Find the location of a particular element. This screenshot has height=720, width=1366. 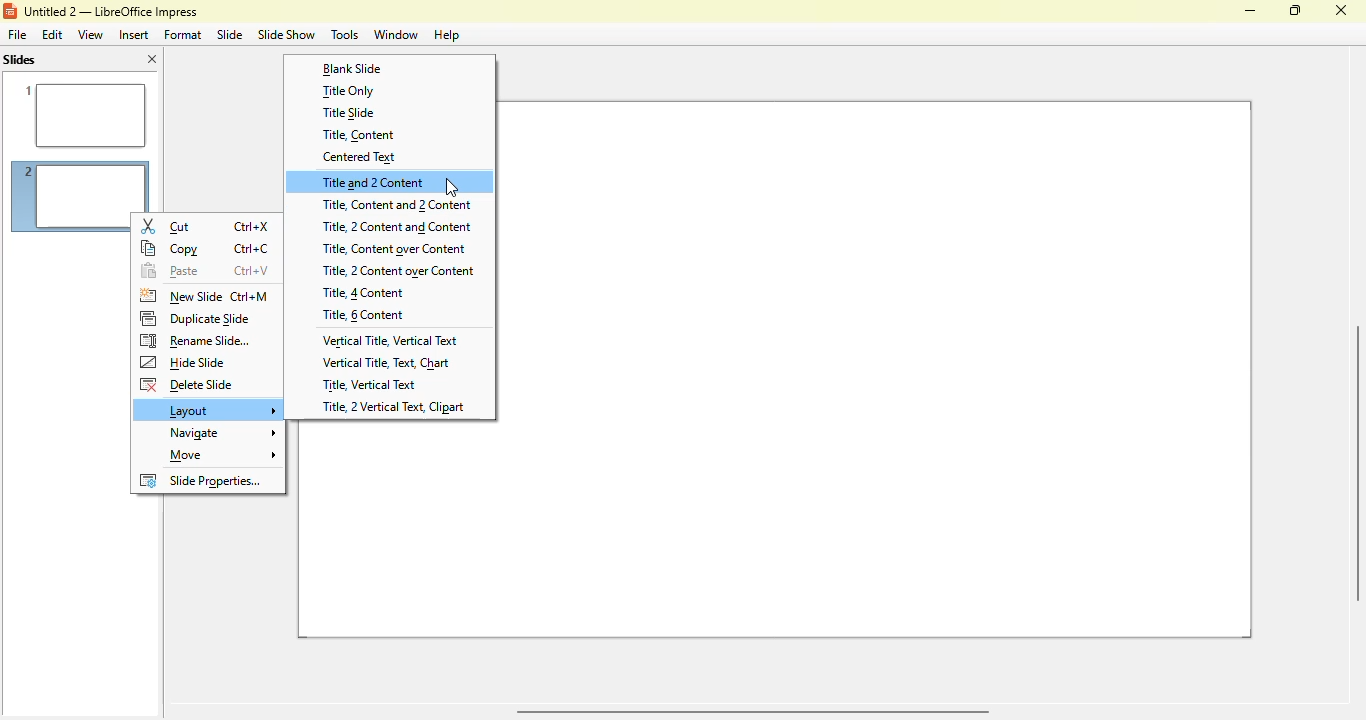

slide show is located at coordinates (285, 34).